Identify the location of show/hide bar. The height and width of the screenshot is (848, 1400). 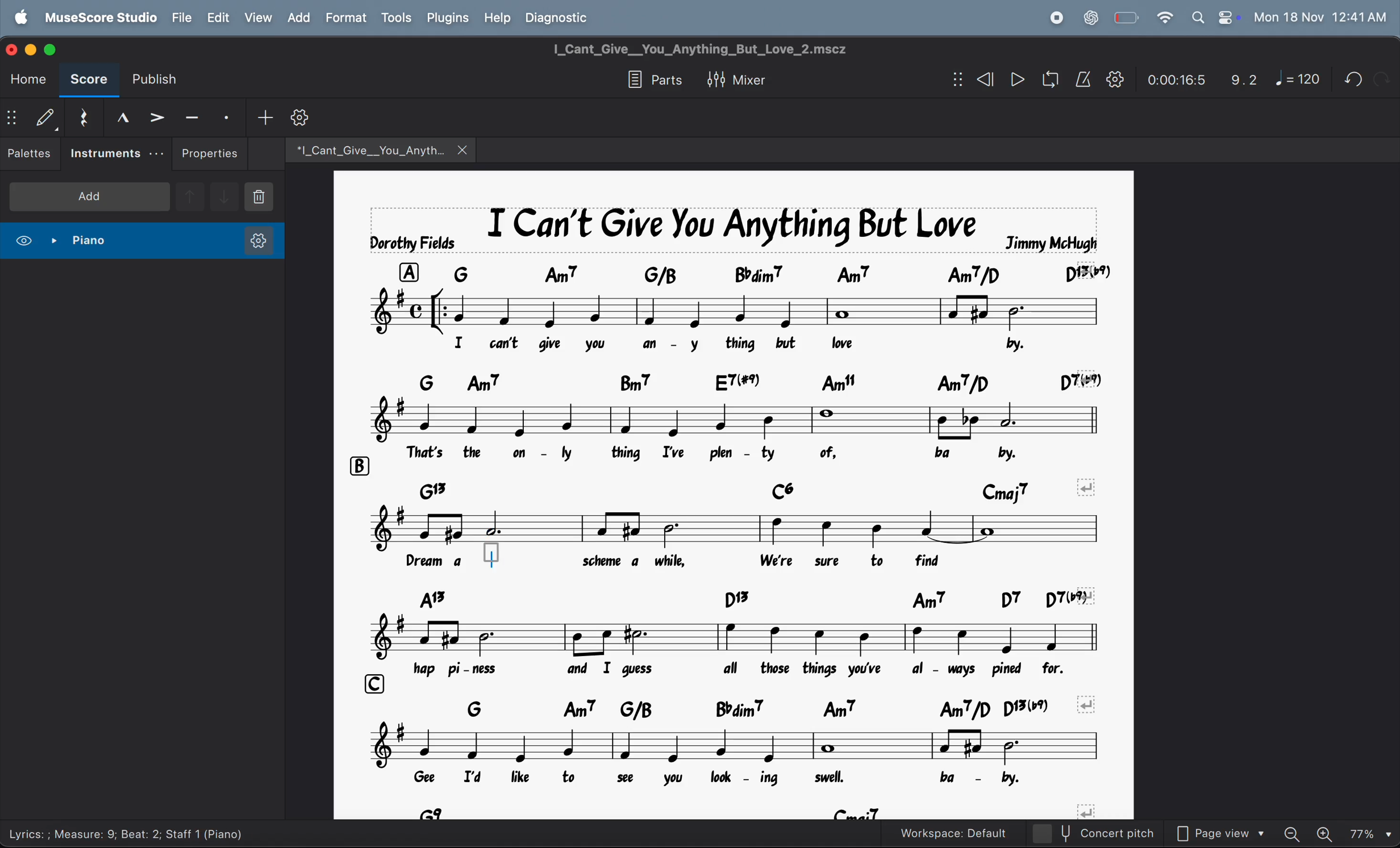
(16, 117).